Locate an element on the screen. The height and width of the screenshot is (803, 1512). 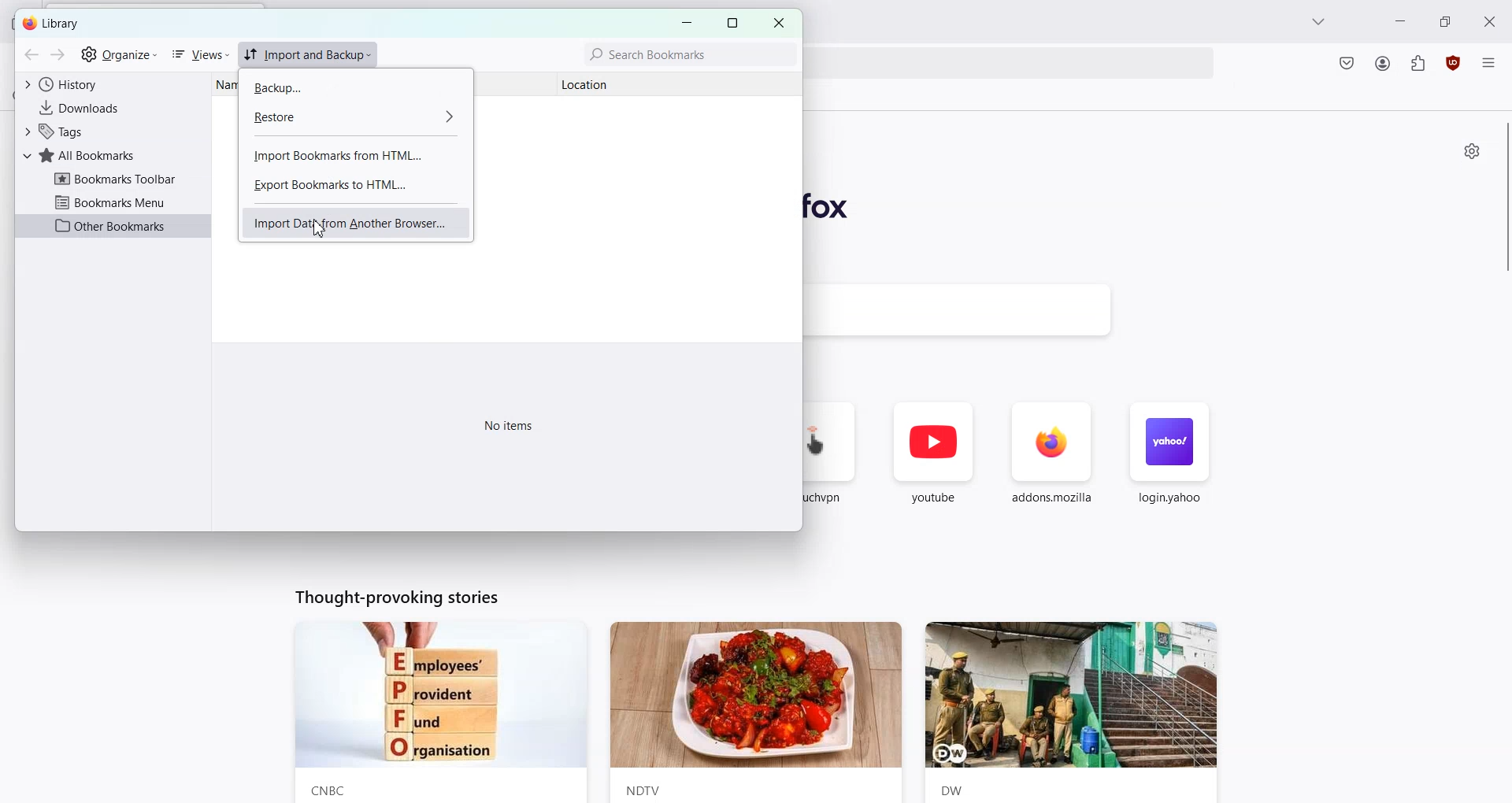
Minimize is located at coordinates (1400, 20).